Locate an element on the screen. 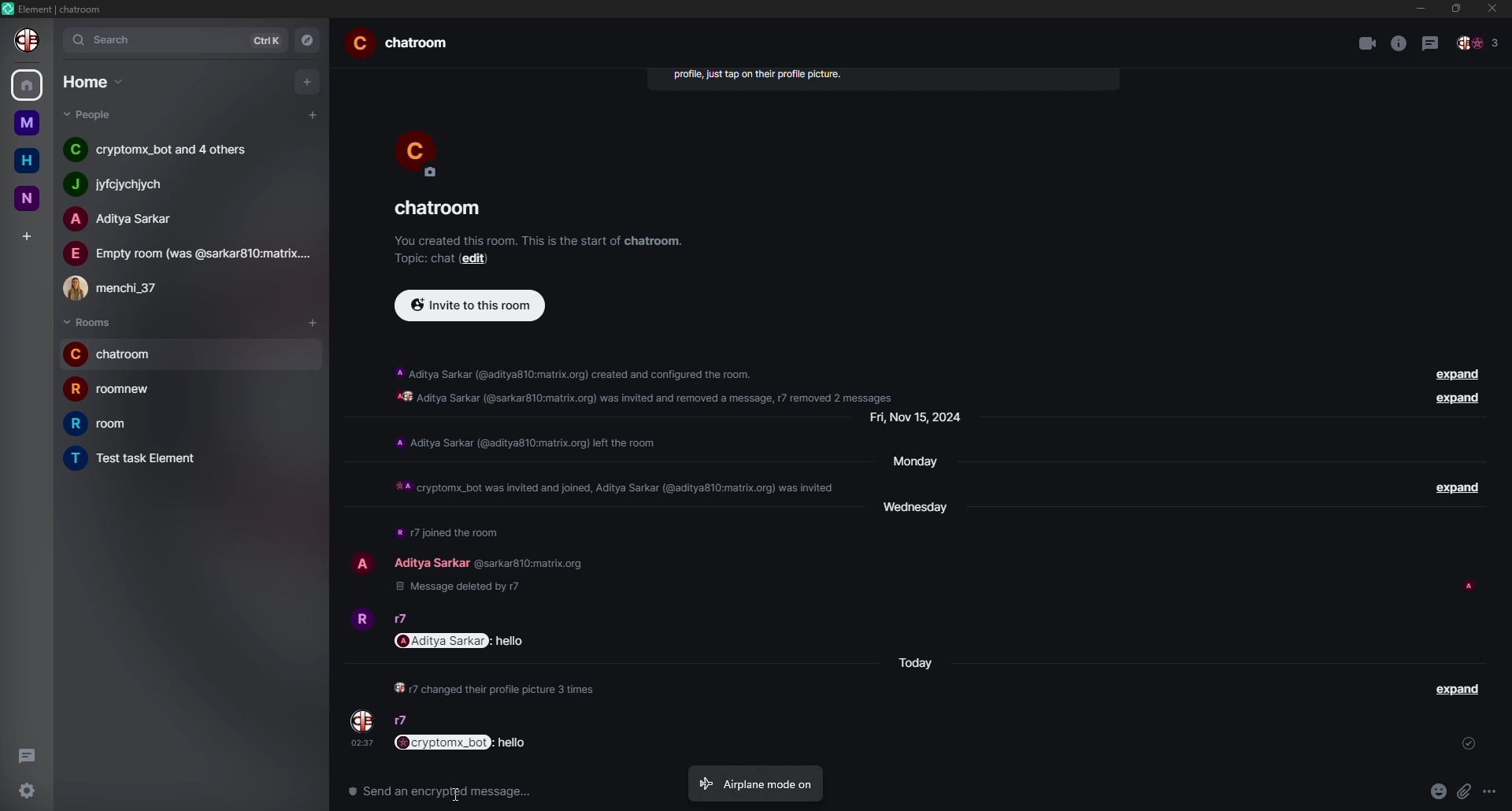  cursor is located at coordinates (458, 793).